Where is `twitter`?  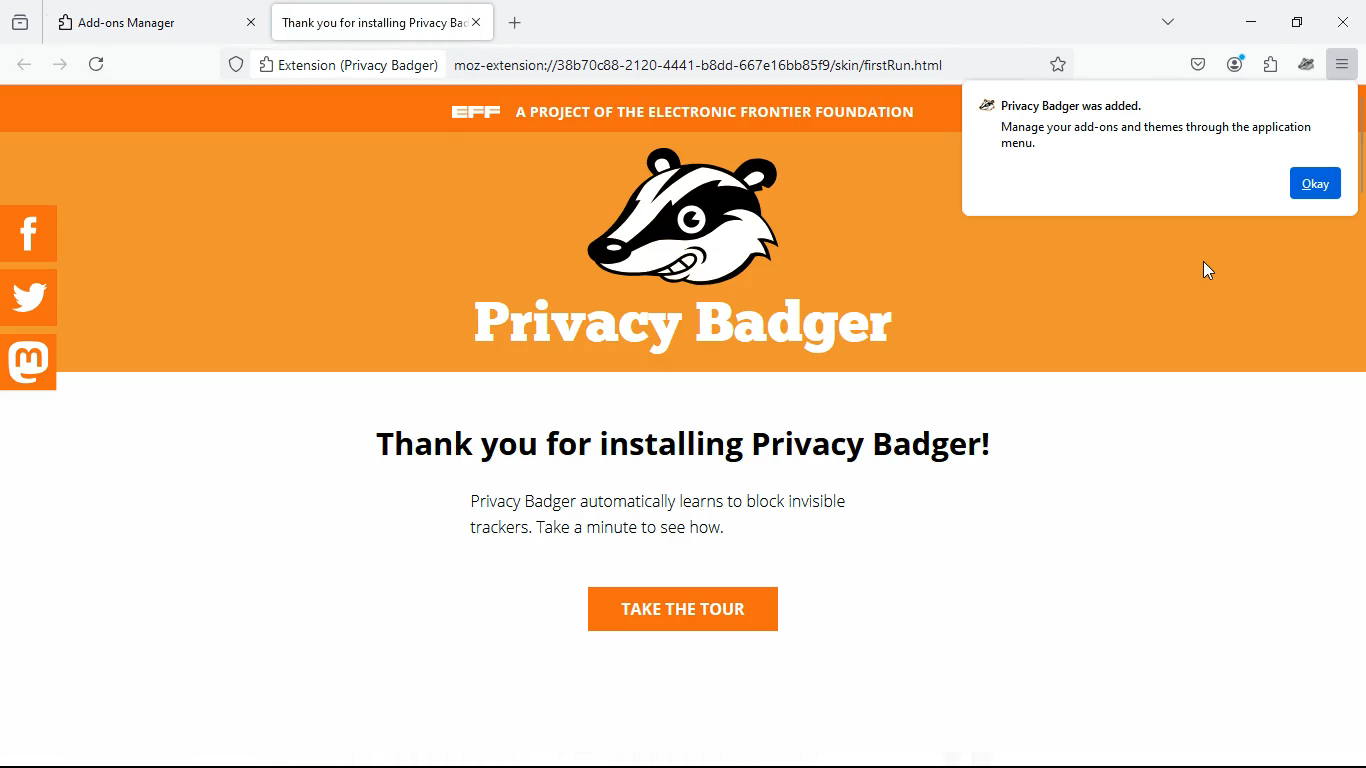
twitter is located at coordinates (30, 297).